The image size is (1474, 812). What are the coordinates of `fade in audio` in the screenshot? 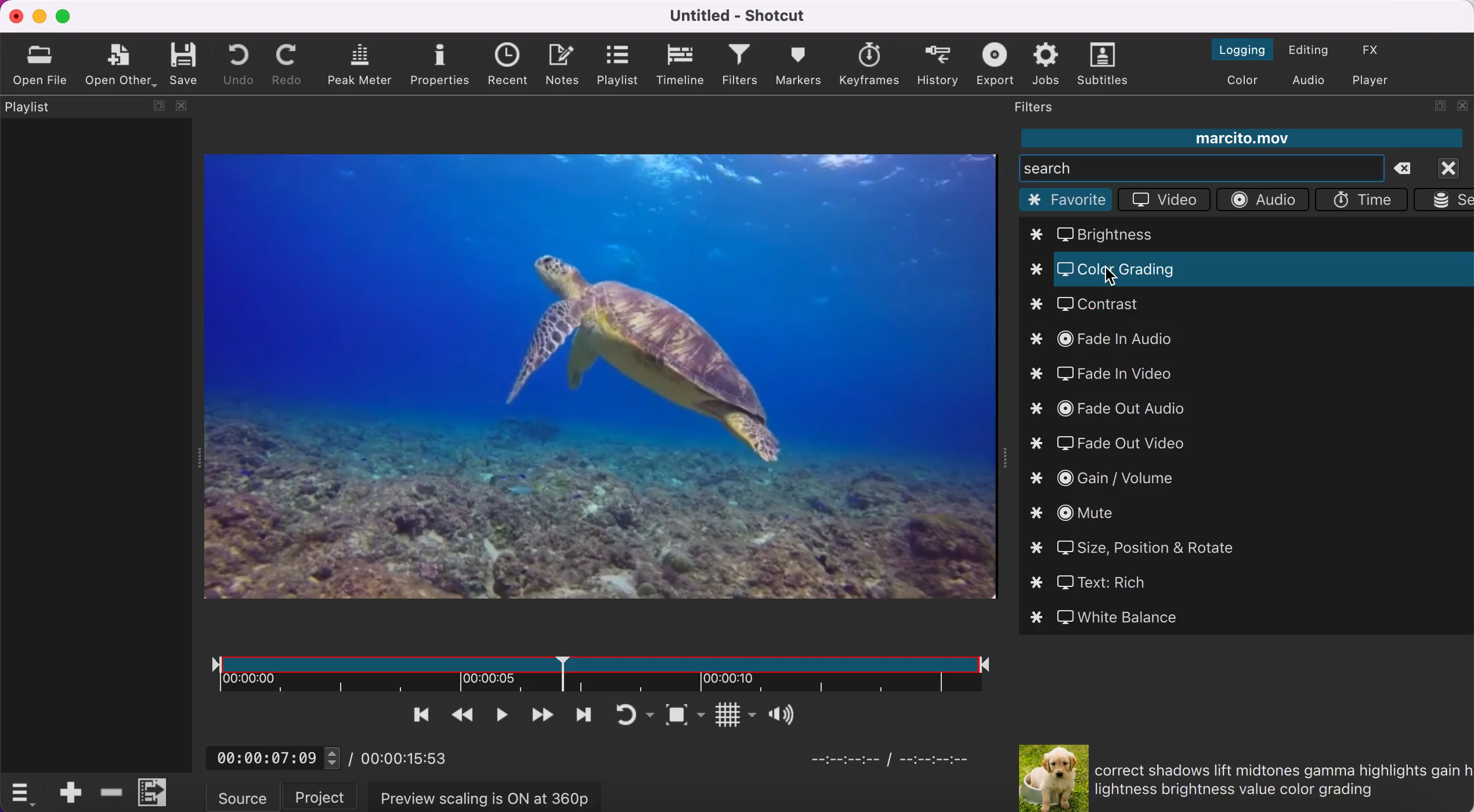 It's located at (1108, 340).